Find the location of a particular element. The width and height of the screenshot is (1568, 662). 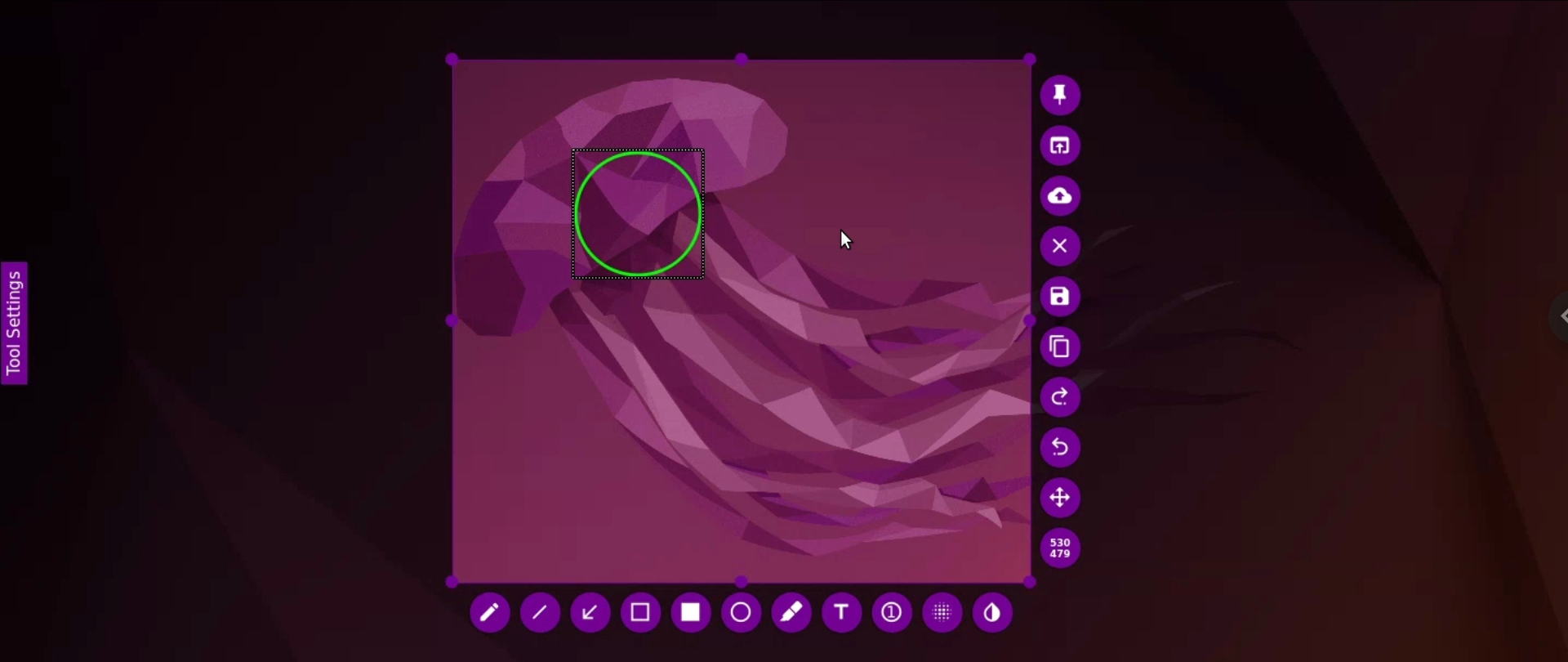

selection is located at coordinates (642, 611).